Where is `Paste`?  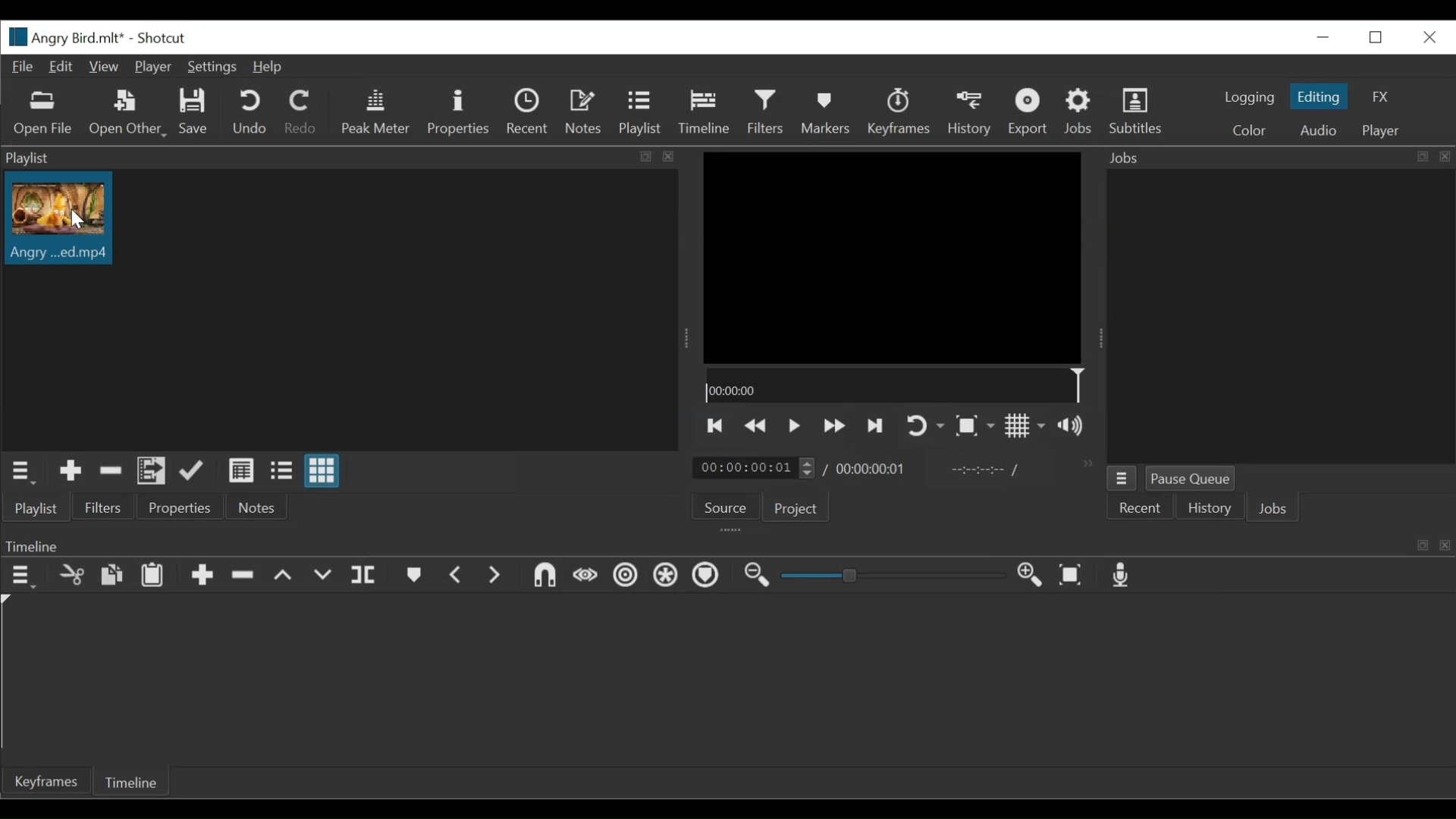
Paste is located at coordinates (155, 577).